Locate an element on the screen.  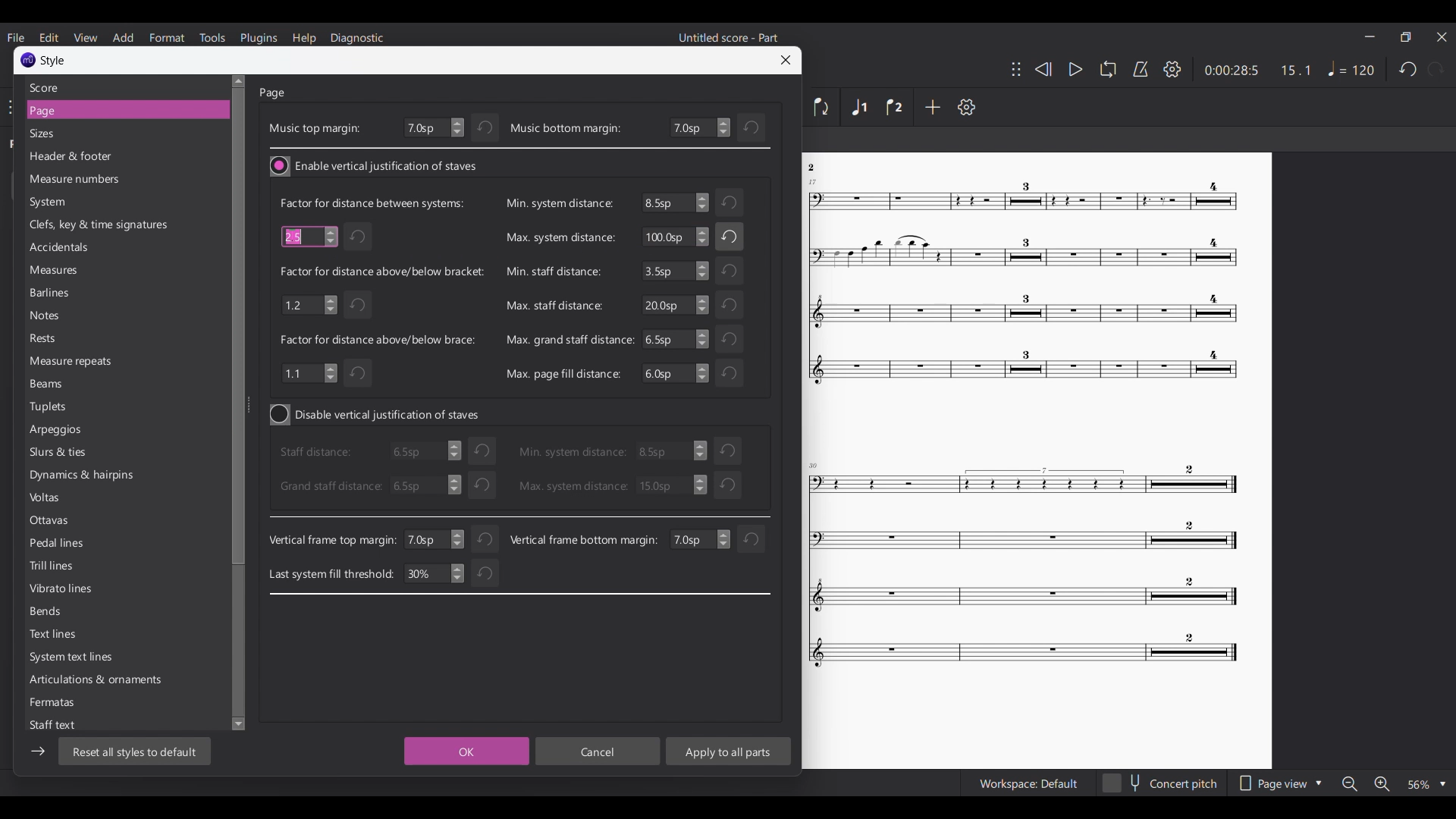
3.5sp is located at coordinates (674, 271).